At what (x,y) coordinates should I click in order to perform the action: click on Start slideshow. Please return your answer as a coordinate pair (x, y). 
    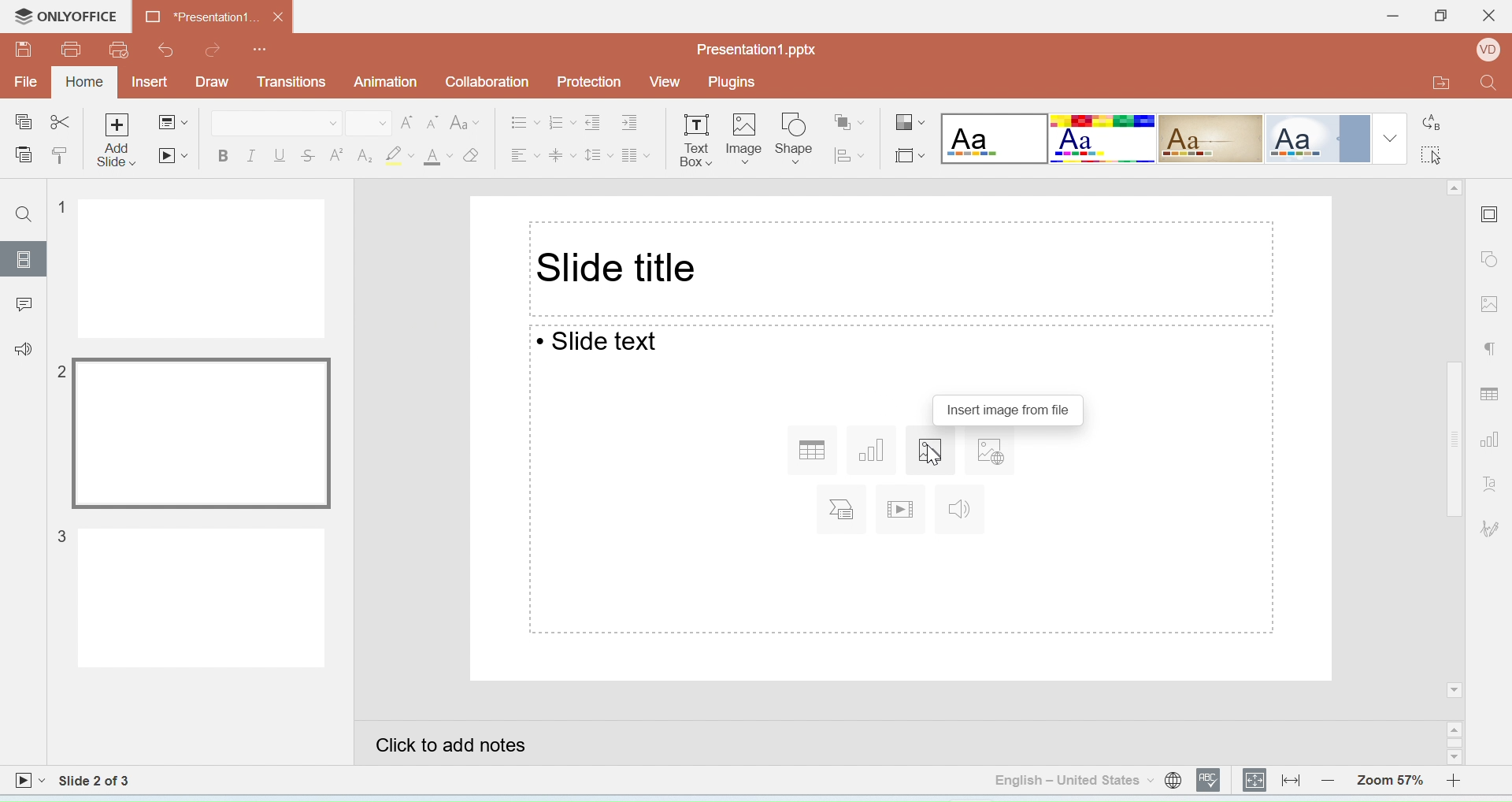
    Looking at the image, I should click on (29, 782).